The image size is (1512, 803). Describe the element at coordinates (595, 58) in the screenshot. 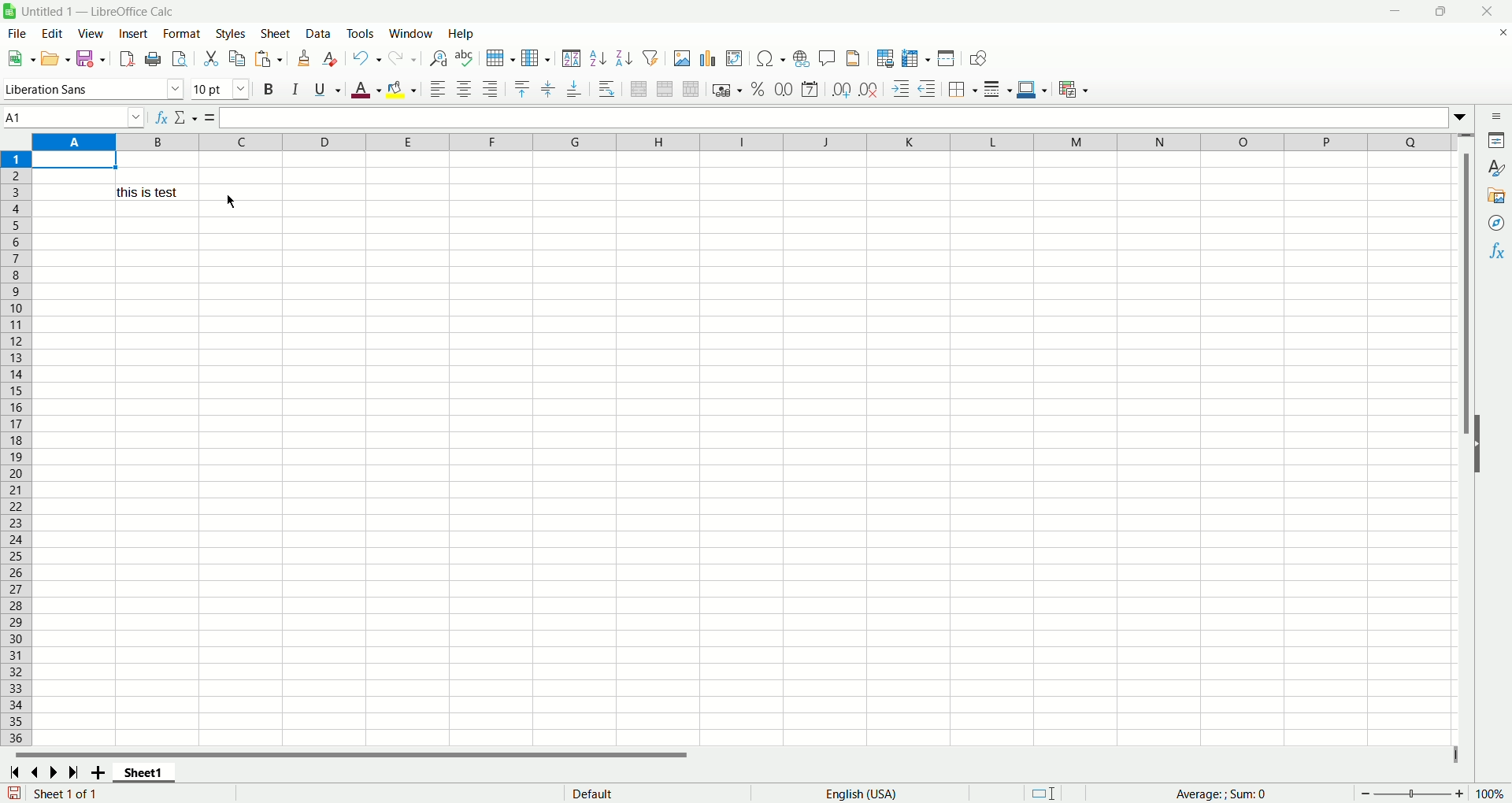

I see `sort ascending` at that location.